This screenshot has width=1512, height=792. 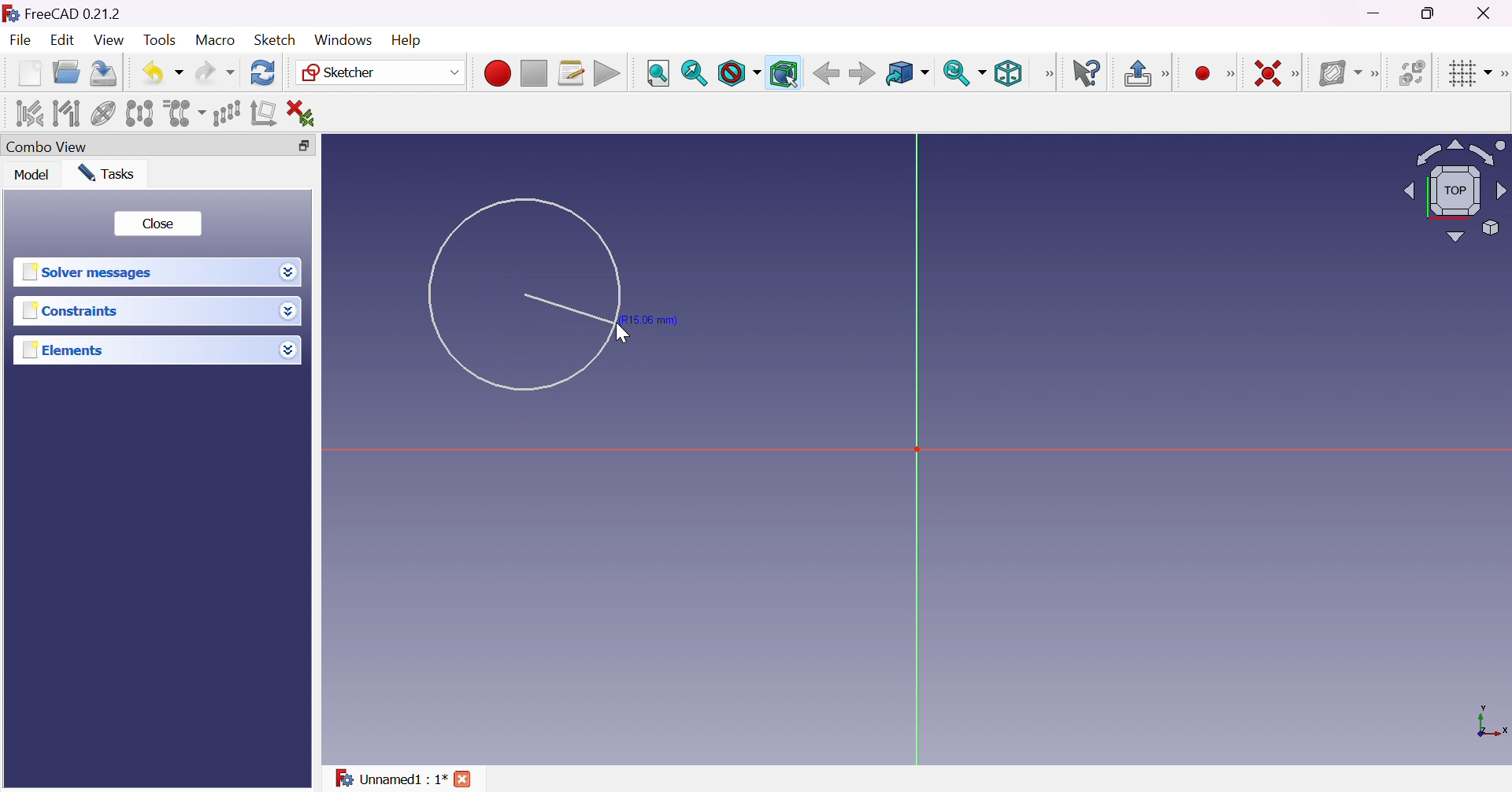 I want to click on Edit, so click(x=64, y=42).